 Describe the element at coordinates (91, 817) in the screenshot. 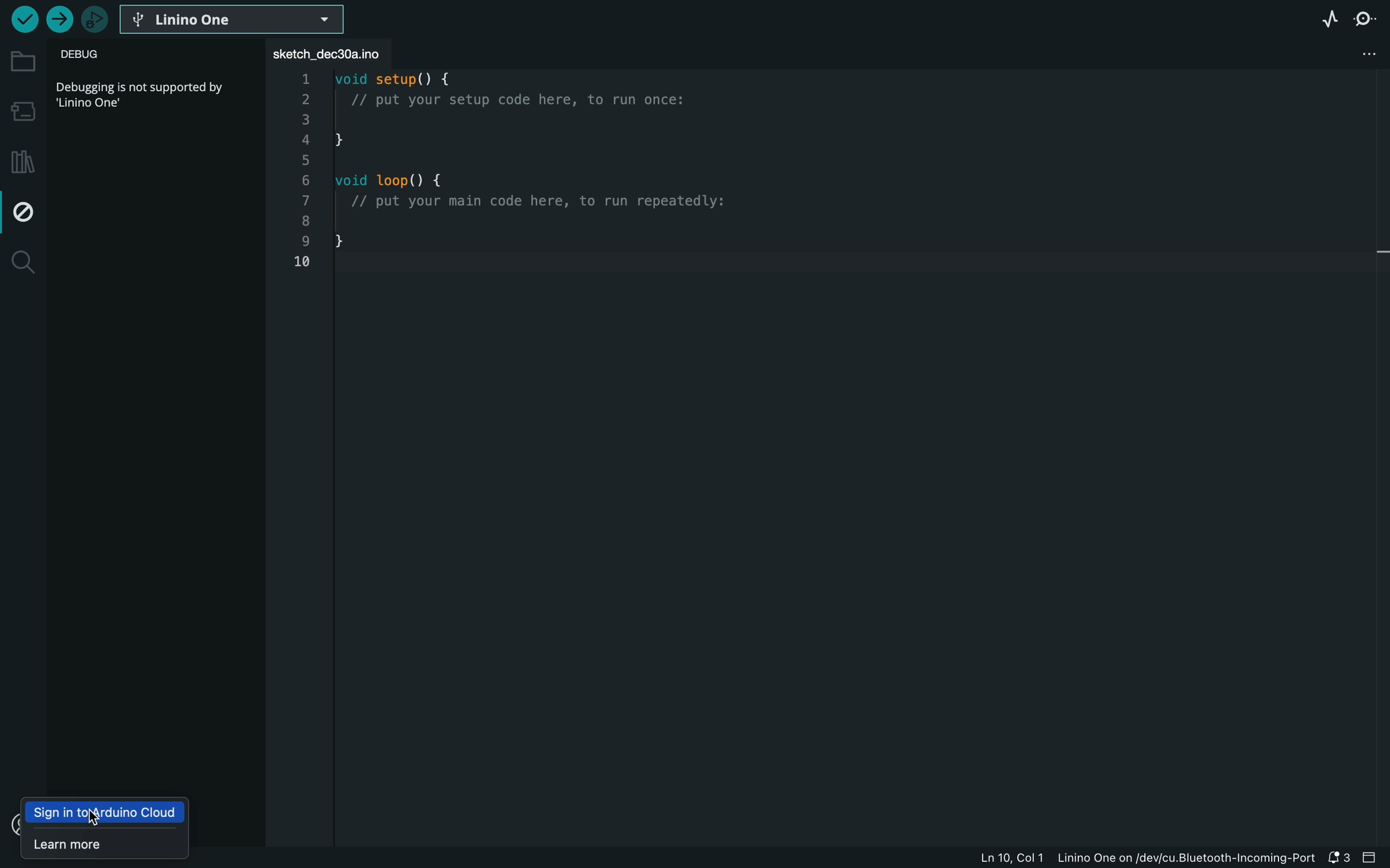

I see `cursor` at that location.